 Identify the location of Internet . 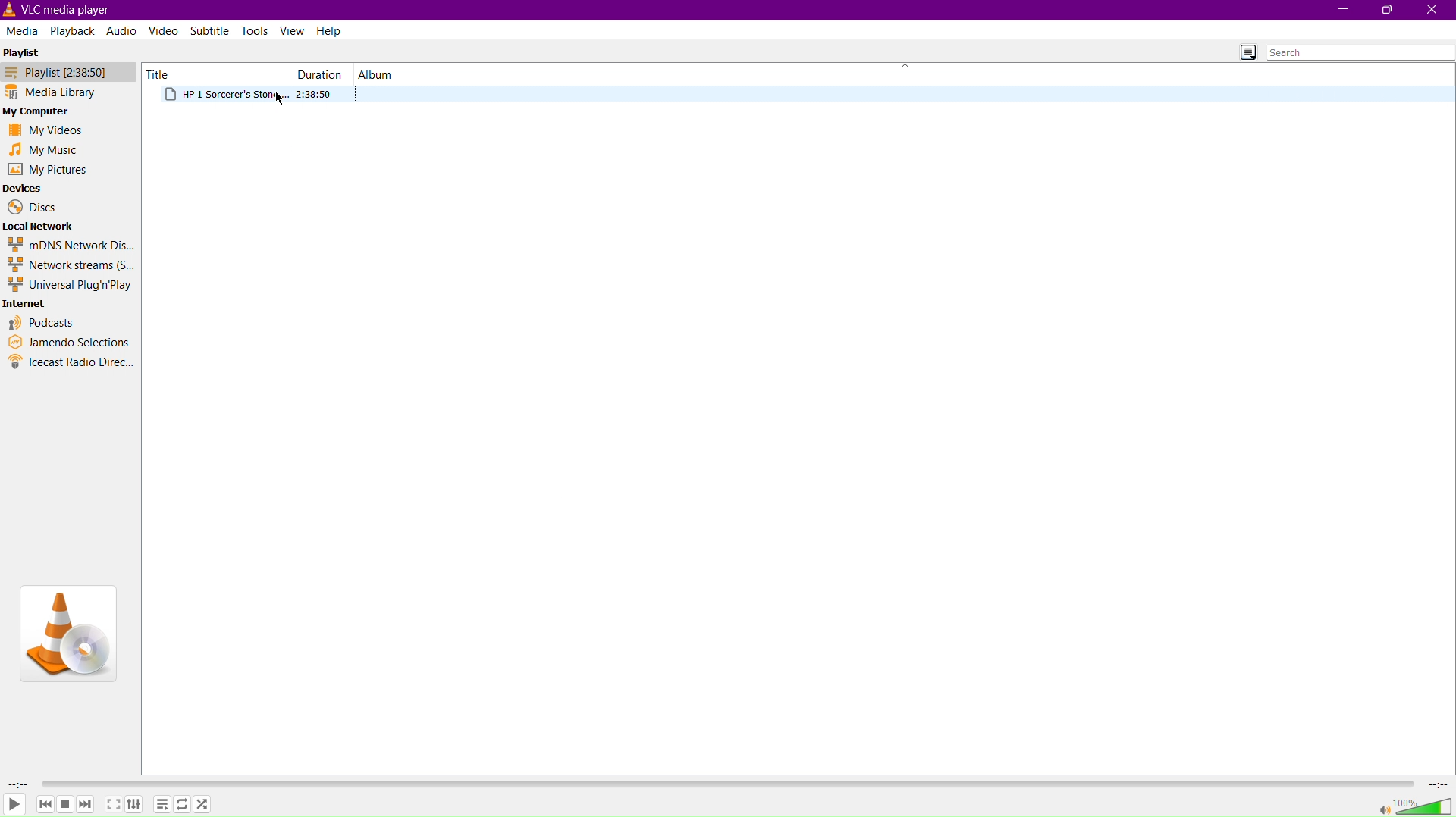
(27, 304).